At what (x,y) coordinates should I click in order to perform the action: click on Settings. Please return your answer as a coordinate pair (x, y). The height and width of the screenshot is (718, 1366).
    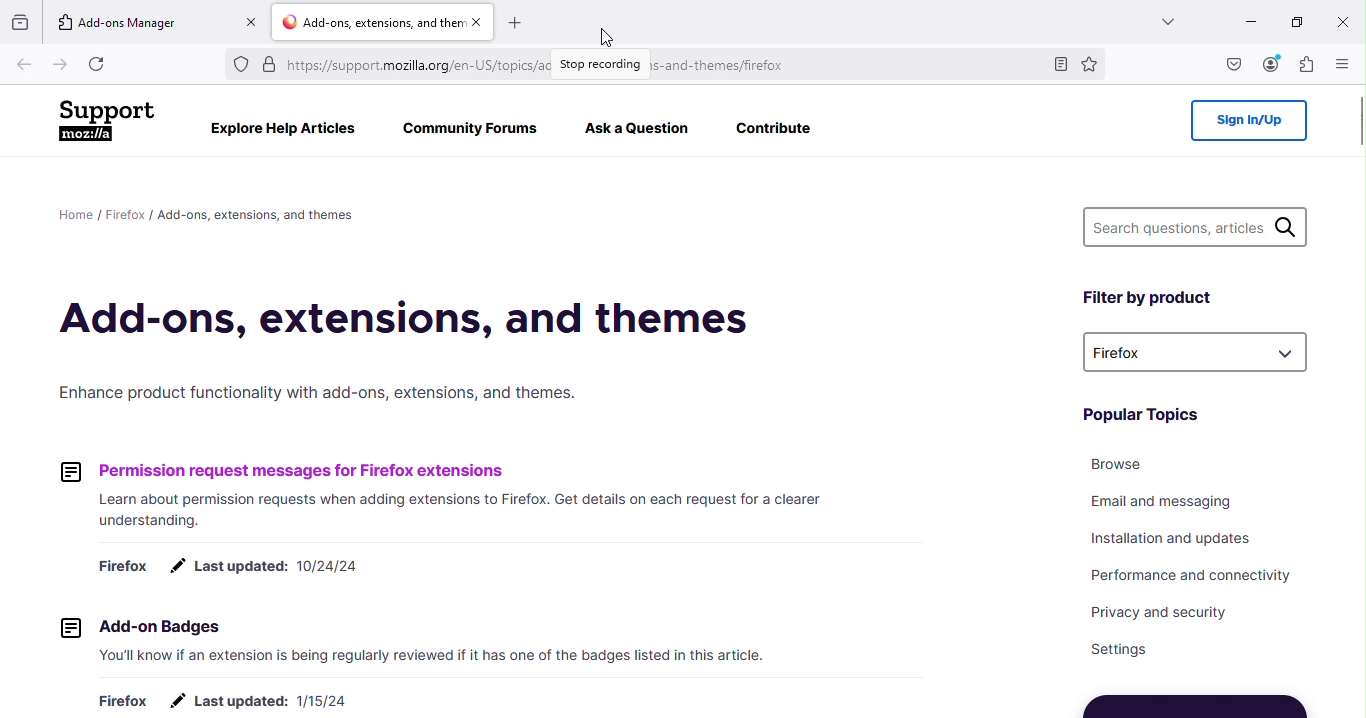
    Looking at the image, I should click on (1114, 649).